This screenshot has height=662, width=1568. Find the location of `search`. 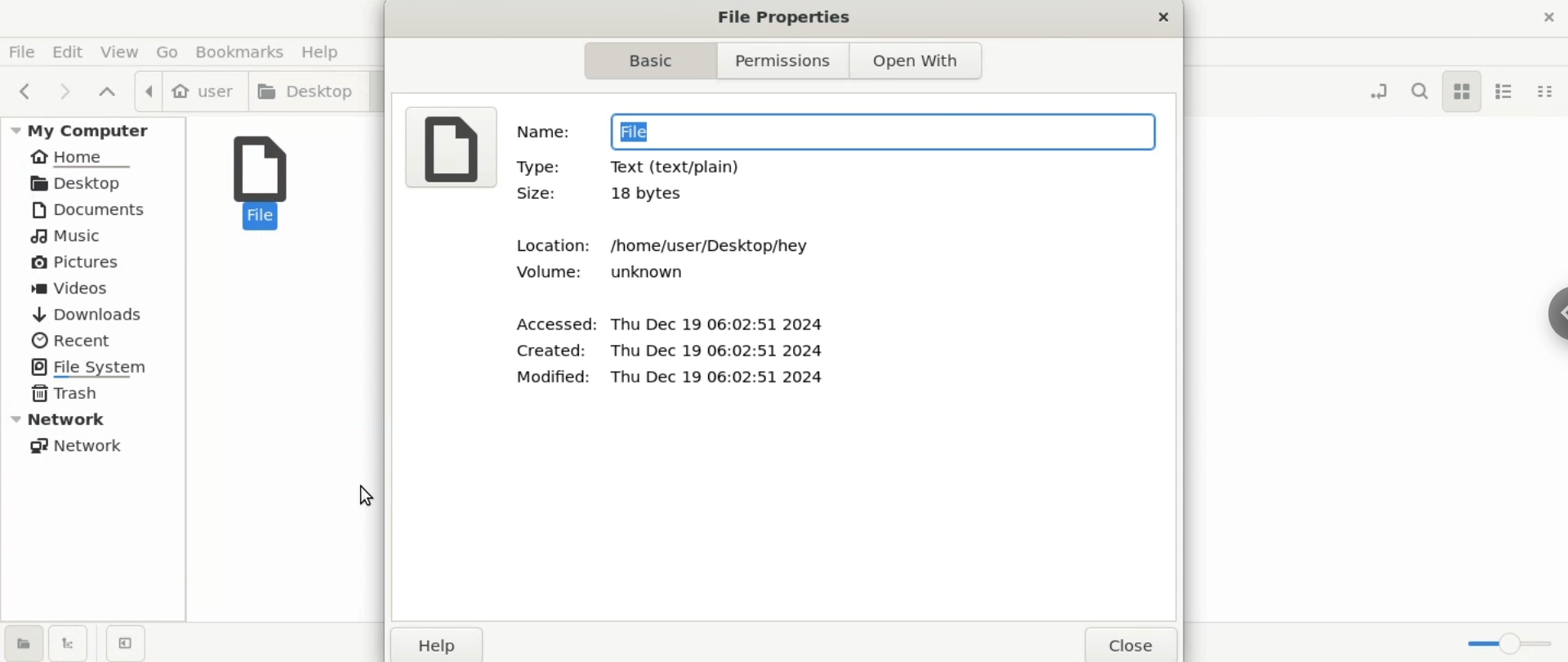

search is located at coordinates (1417, 95).